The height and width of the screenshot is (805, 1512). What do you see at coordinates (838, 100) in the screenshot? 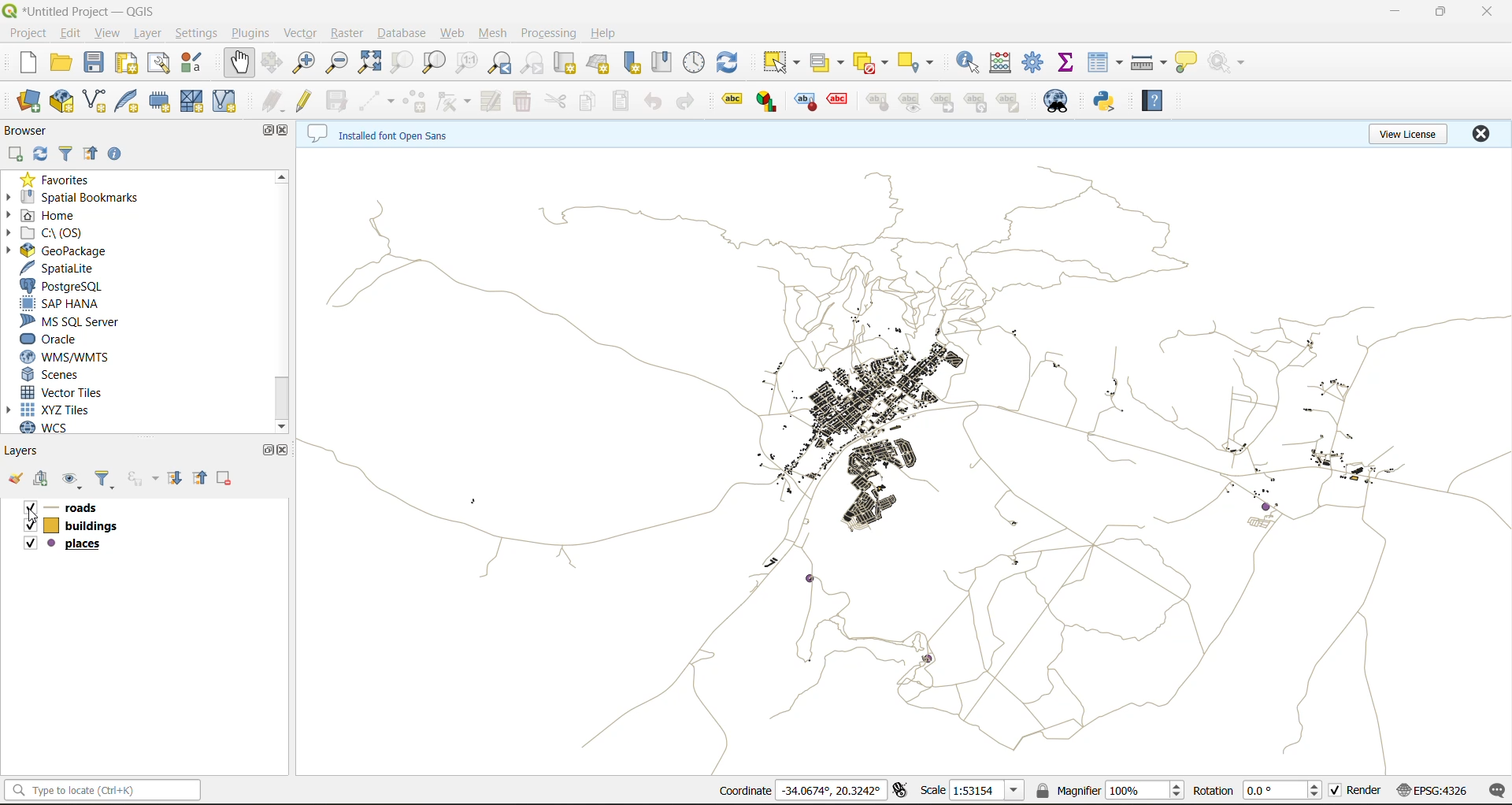
I see `labels toolbar 4` at bounding box center [838, 100].